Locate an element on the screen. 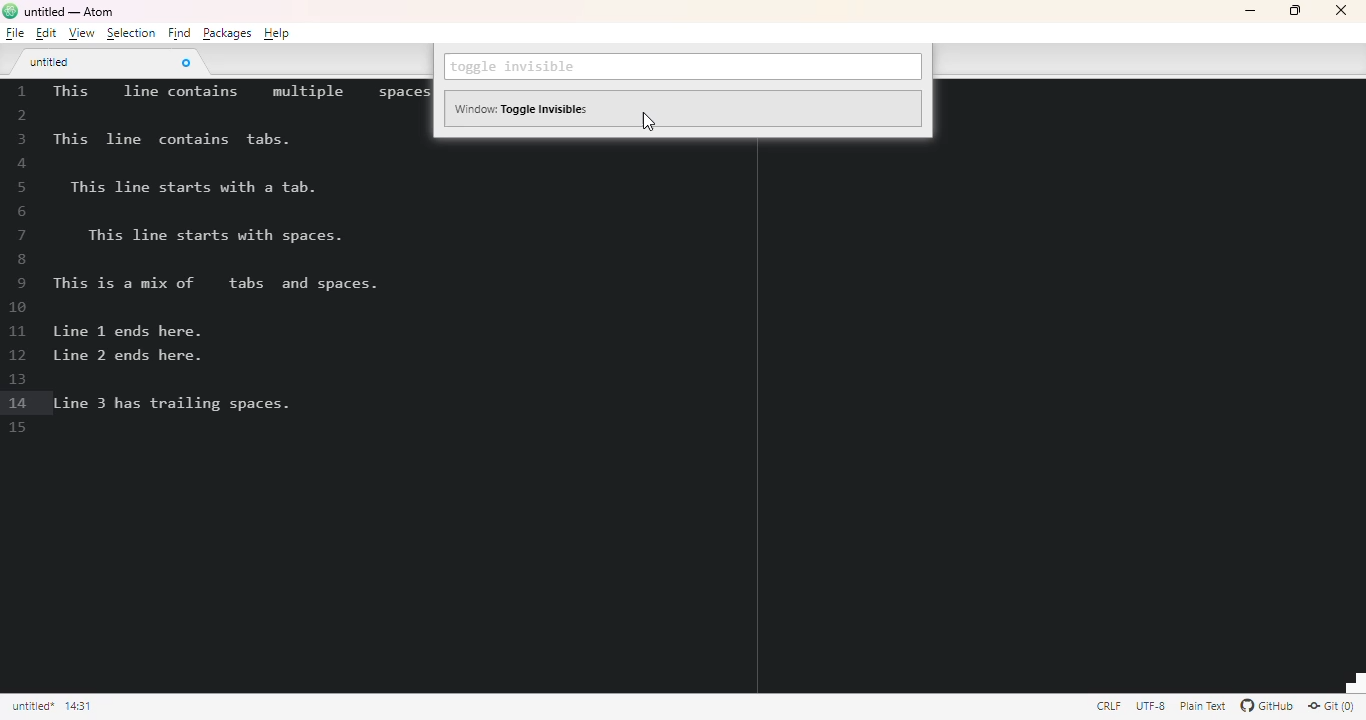  click to copy absolute file path is located at coordinates (32, 706).